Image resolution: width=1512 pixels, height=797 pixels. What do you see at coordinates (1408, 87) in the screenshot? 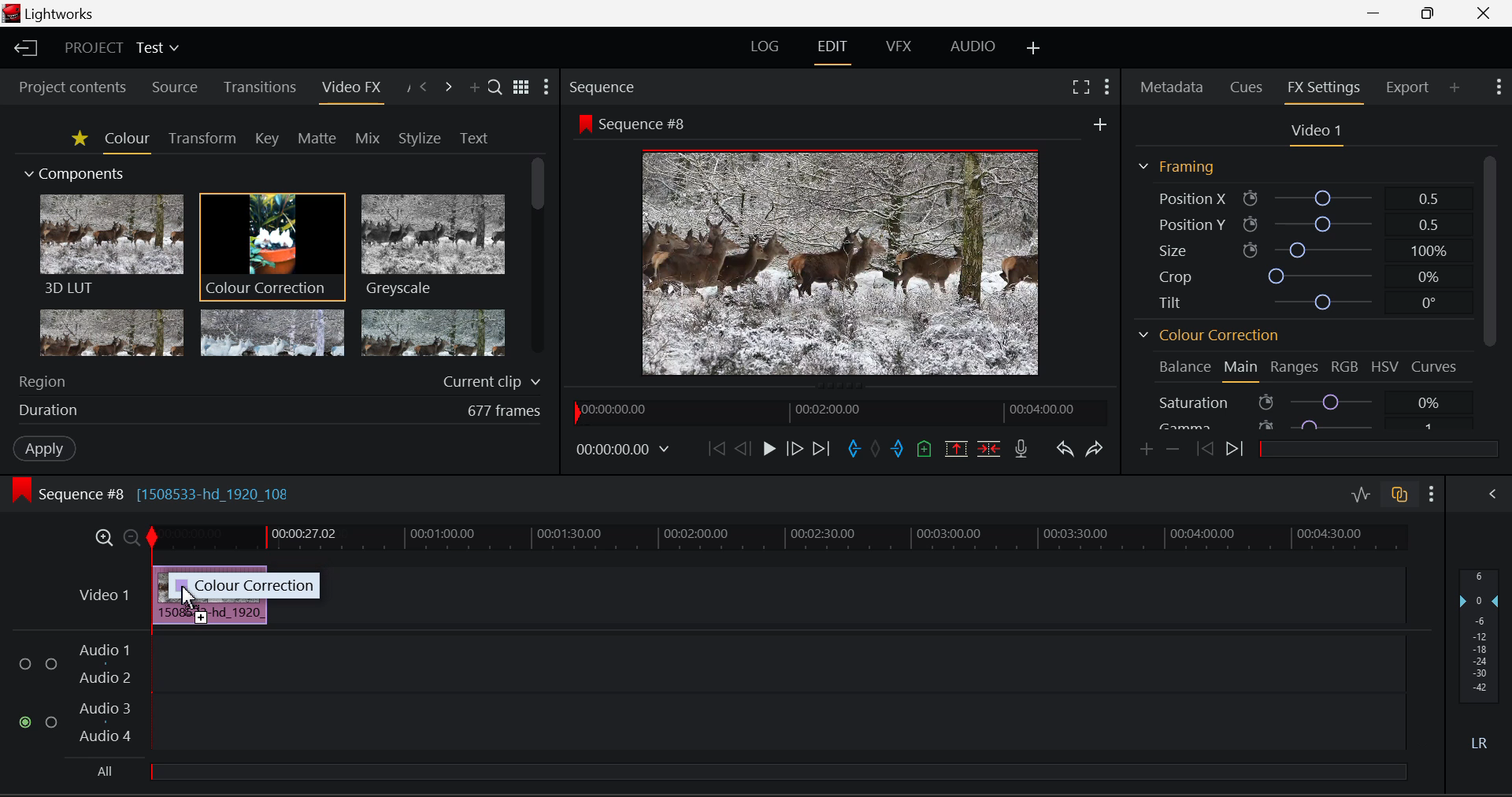
I see `Export` at bounding box center [1408, 87].